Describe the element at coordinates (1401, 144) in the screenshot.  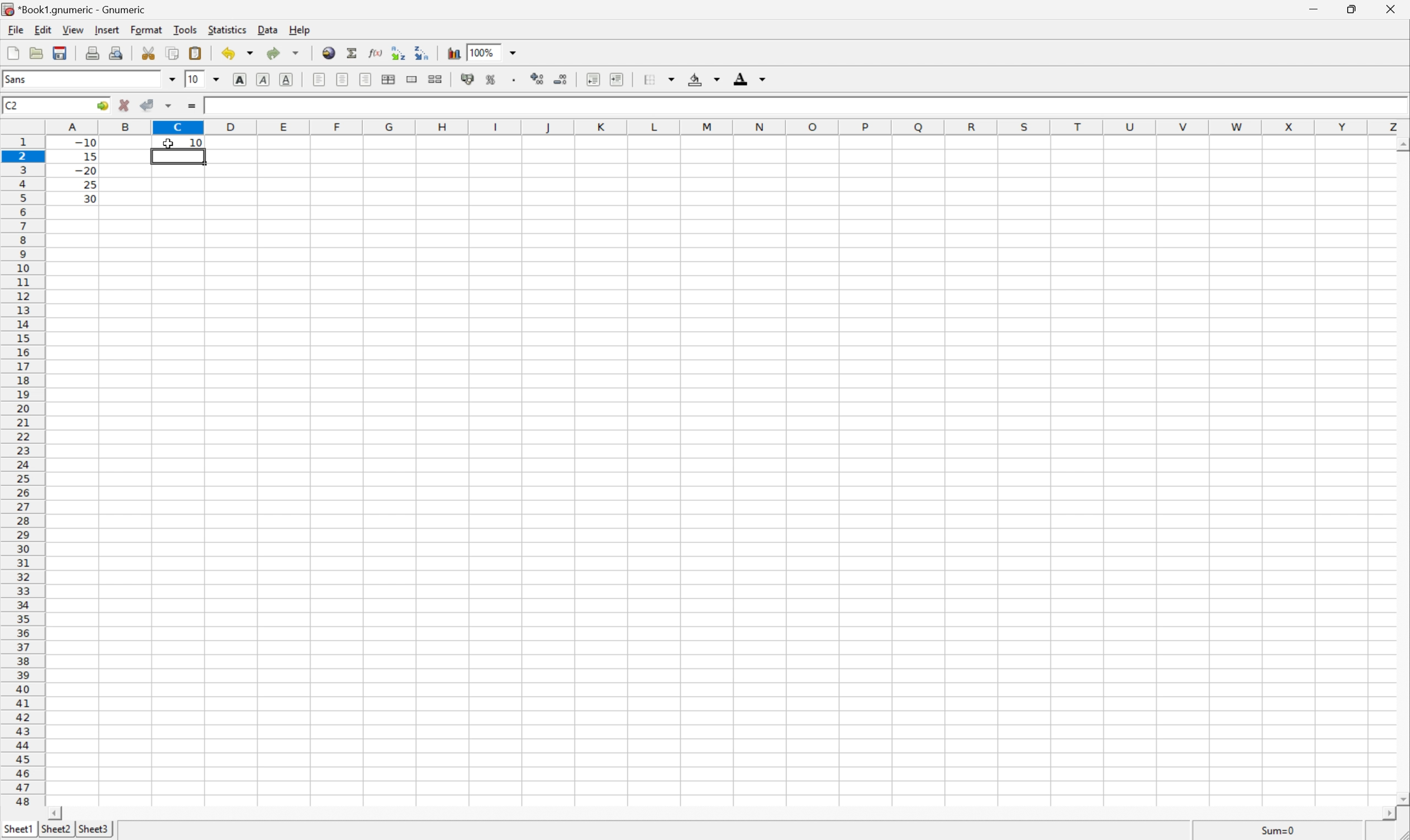
I see `Scroll up` at that location.